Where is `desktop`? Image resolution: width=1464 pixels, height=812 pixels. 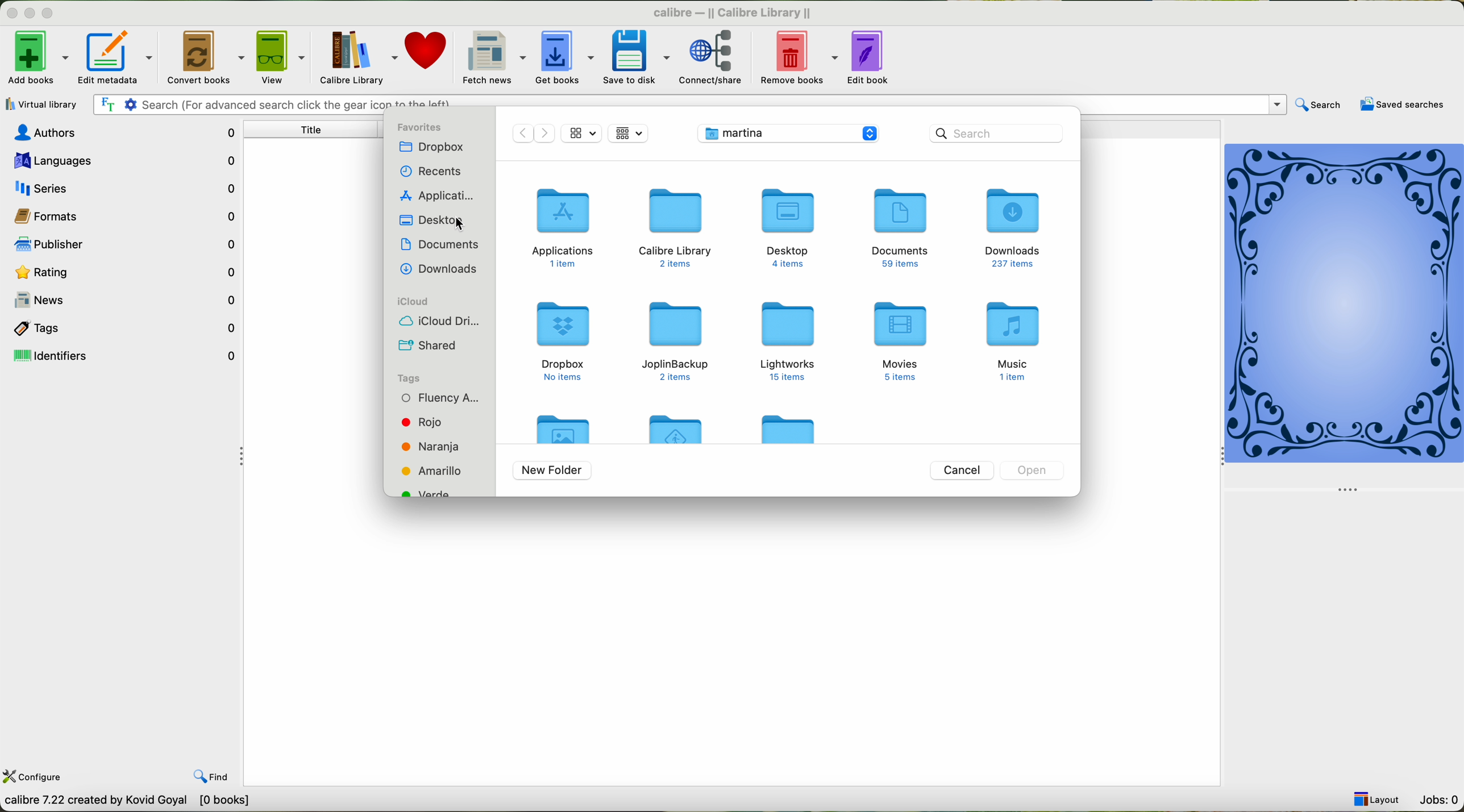
desktop is located at coordinates (432, 220).